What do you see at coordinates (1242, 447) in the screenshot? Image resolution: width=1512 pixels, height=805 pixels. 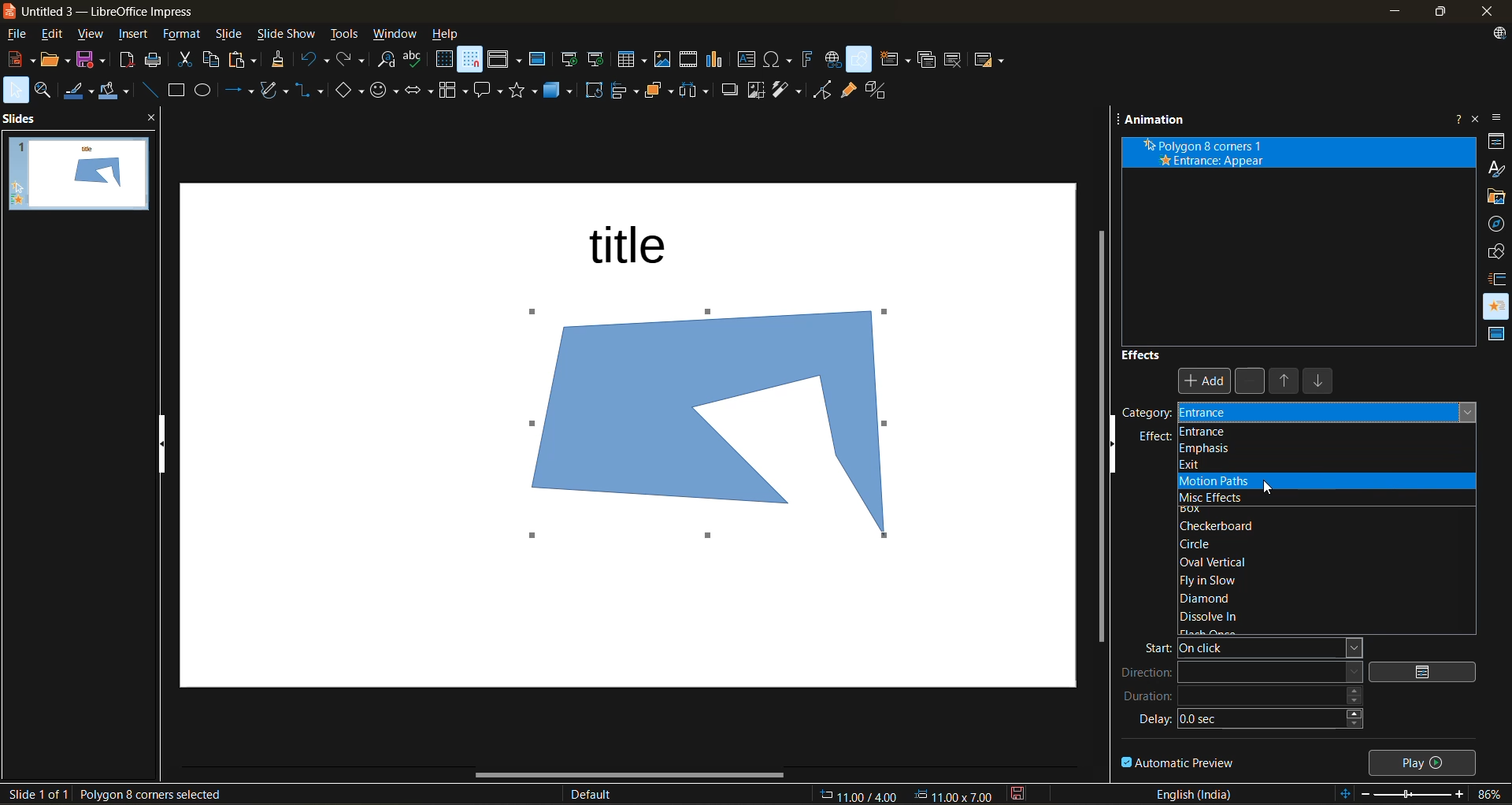 I see `emphasis` at bounding box center [1242, 447].